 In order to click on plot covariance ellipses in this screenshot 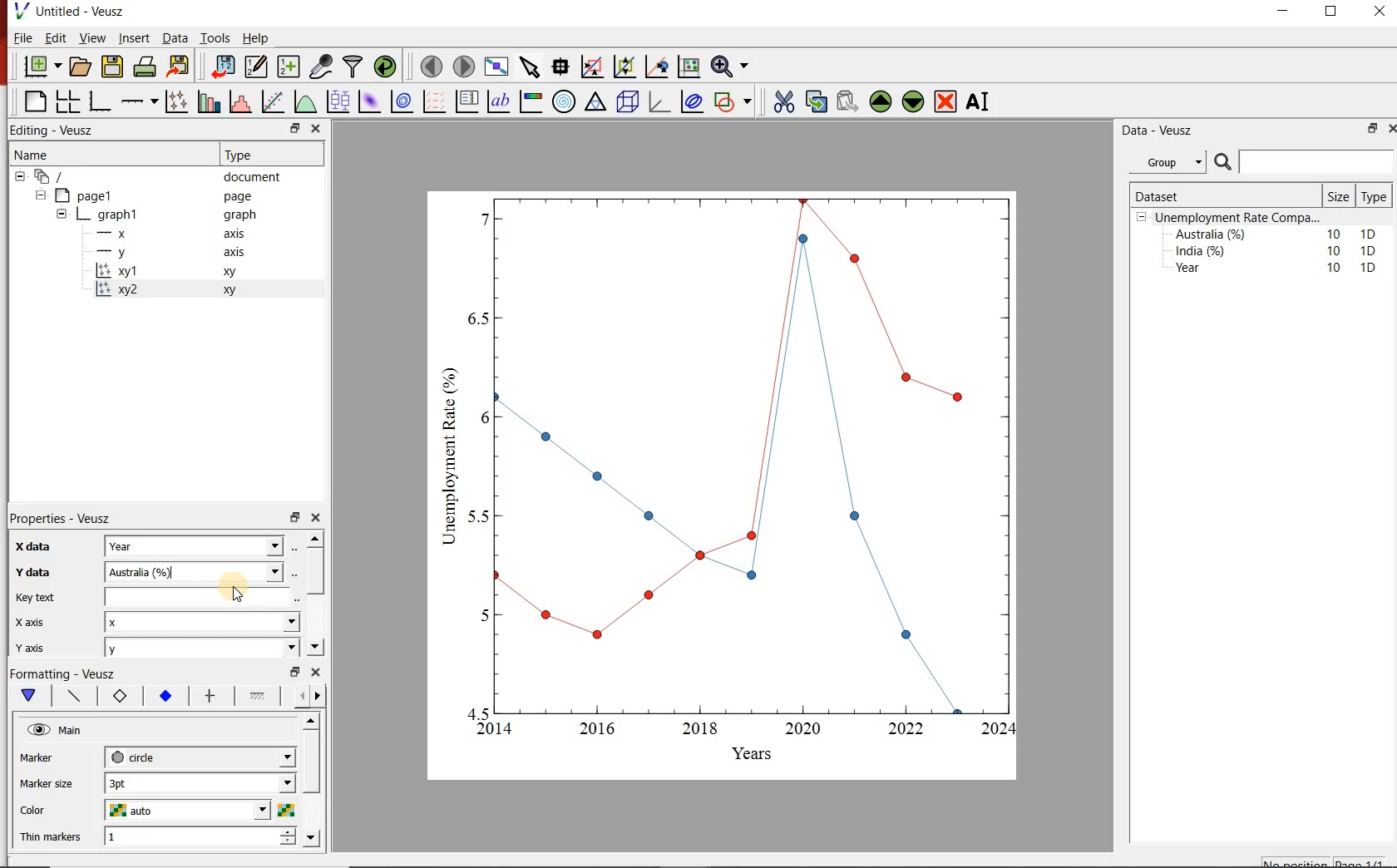, I will do `click(693, 101)`.